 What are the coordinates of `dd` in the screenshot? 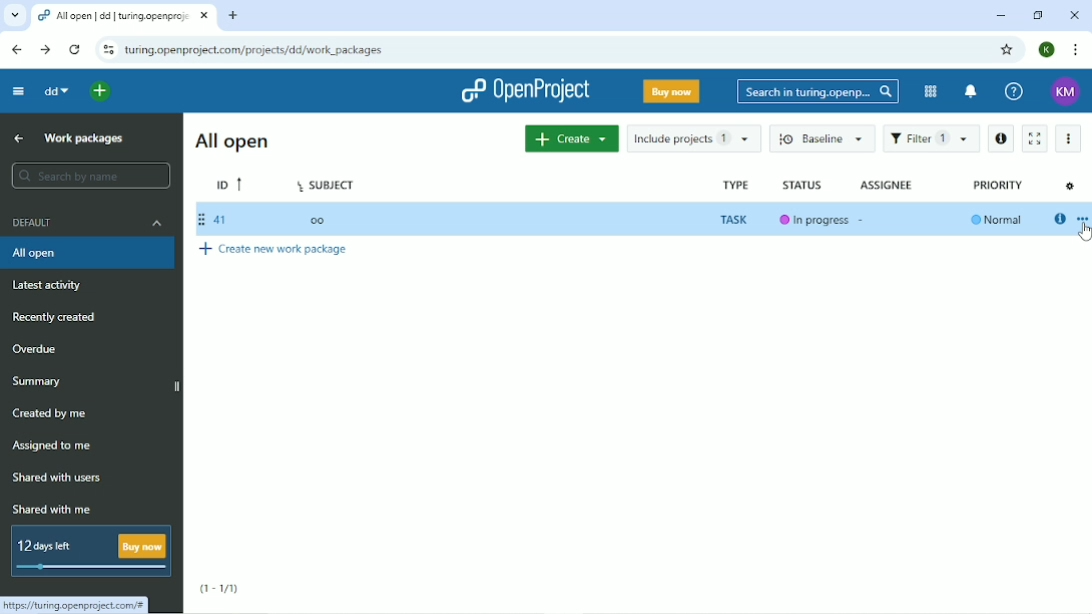 It's located at (56, 91).